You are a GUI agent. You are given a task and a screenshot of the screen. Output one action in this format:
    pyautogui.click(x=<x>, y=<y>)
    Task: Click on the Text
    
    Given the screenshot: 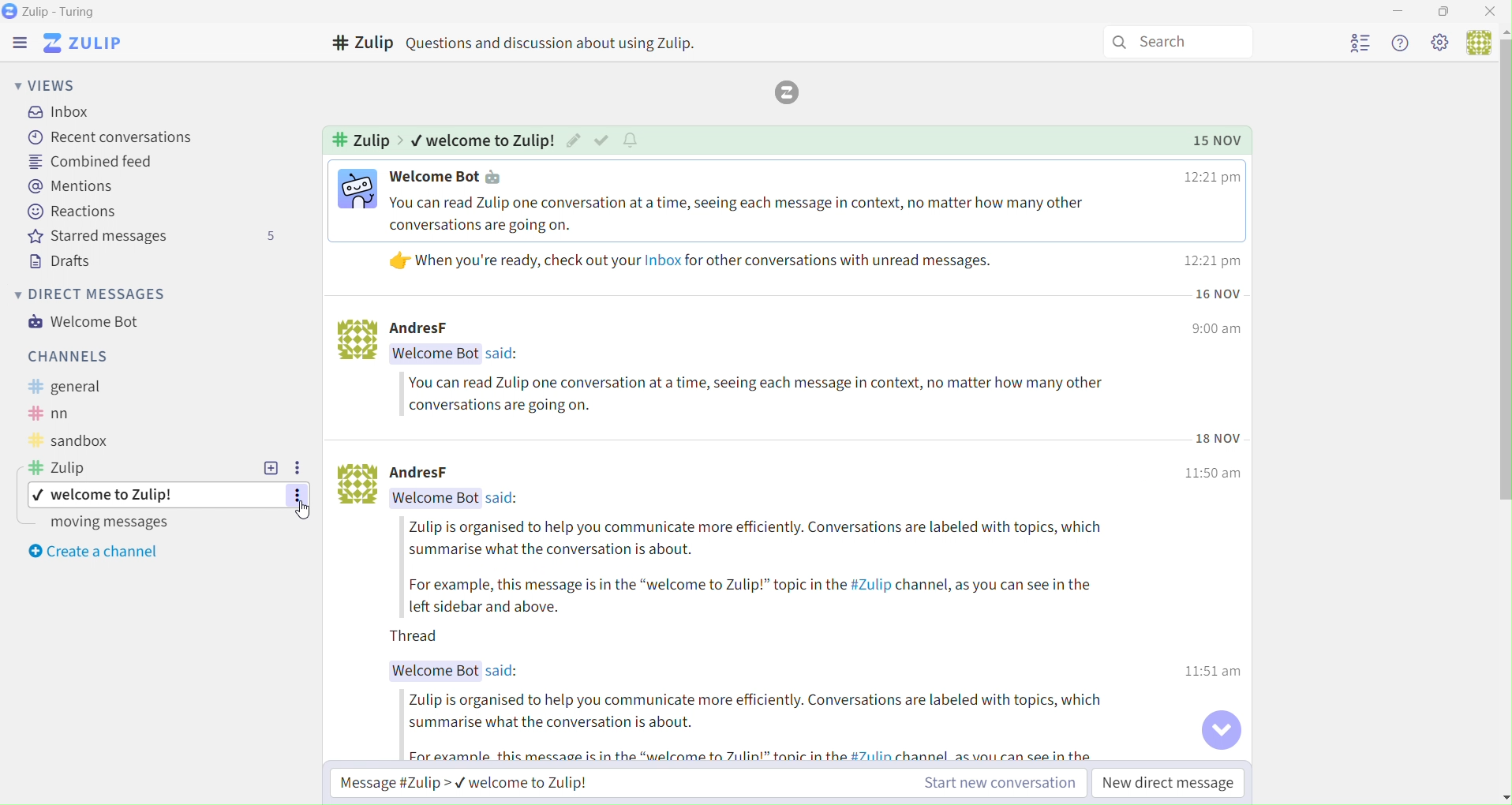 What is the action you would take?
    pyautogui.click(x=763, y=215)
    